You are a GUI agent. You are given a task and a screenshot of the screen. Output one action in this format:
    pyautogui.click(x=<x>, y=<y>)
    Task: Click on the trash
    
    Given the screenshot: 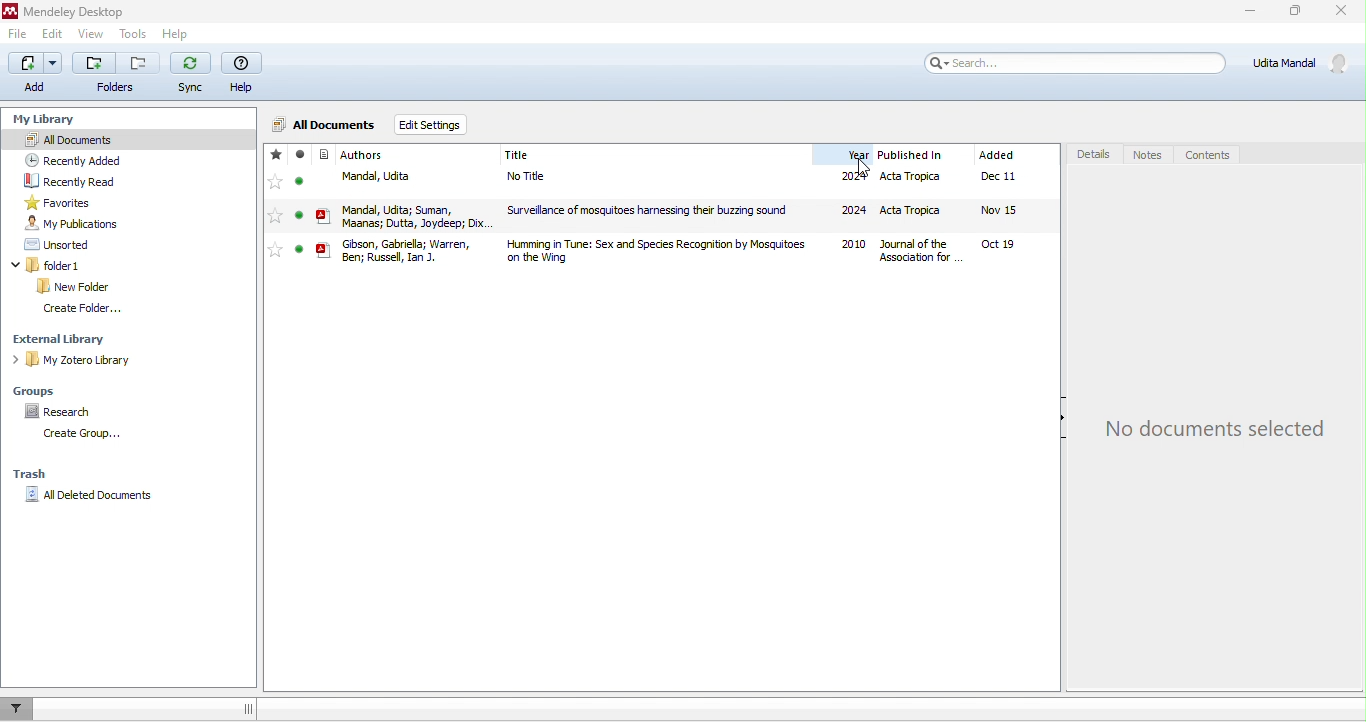 What is the action you would take?
    pyautogui.click(x=29, y=469)
    